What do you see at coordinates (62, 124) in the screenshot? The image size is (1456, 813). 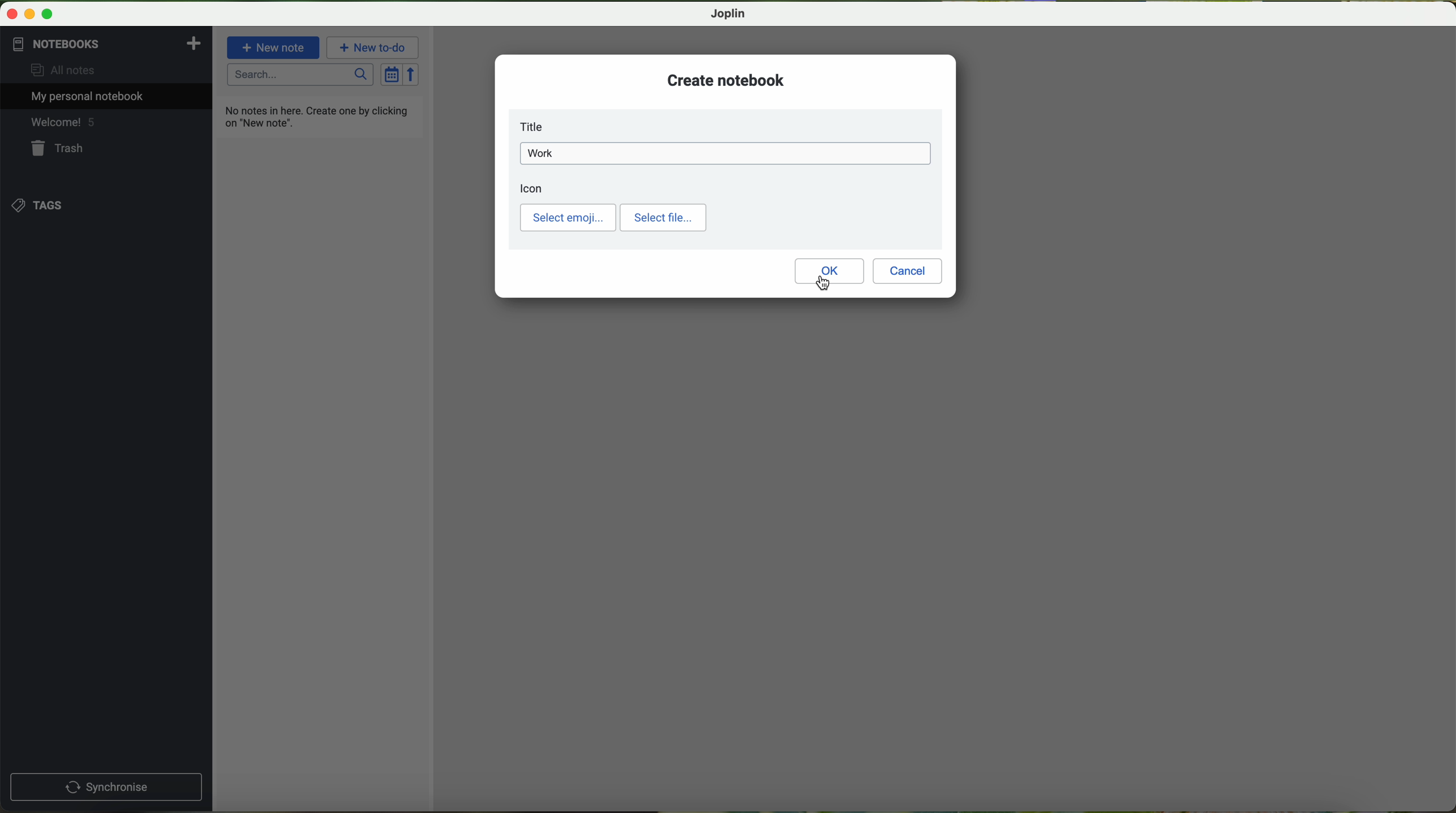 I see `welcome! 5` at bounding box center [62, 124].